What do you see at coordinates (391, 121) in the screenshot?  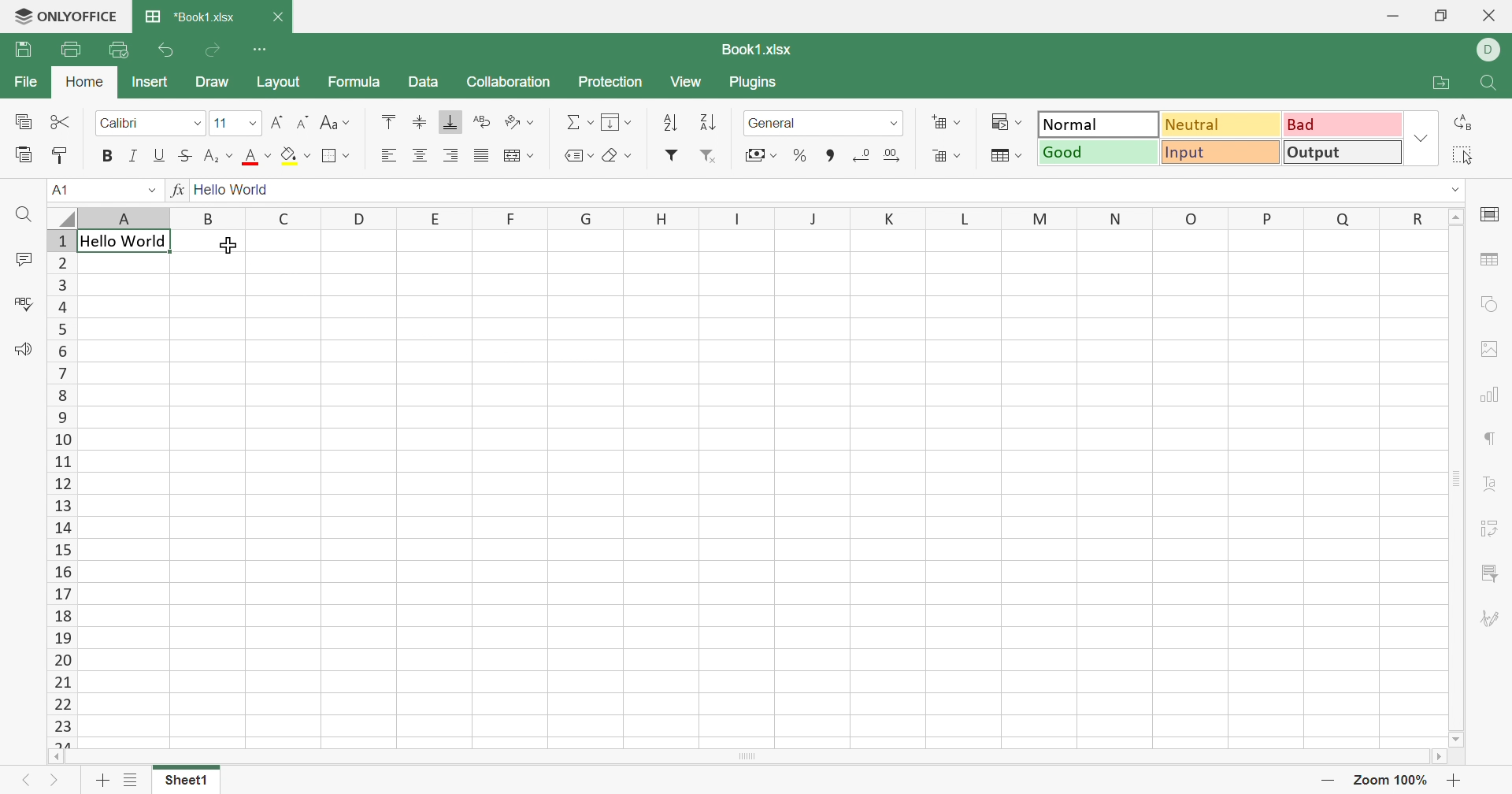 I see `Align top` at bounding box center [391, 121].